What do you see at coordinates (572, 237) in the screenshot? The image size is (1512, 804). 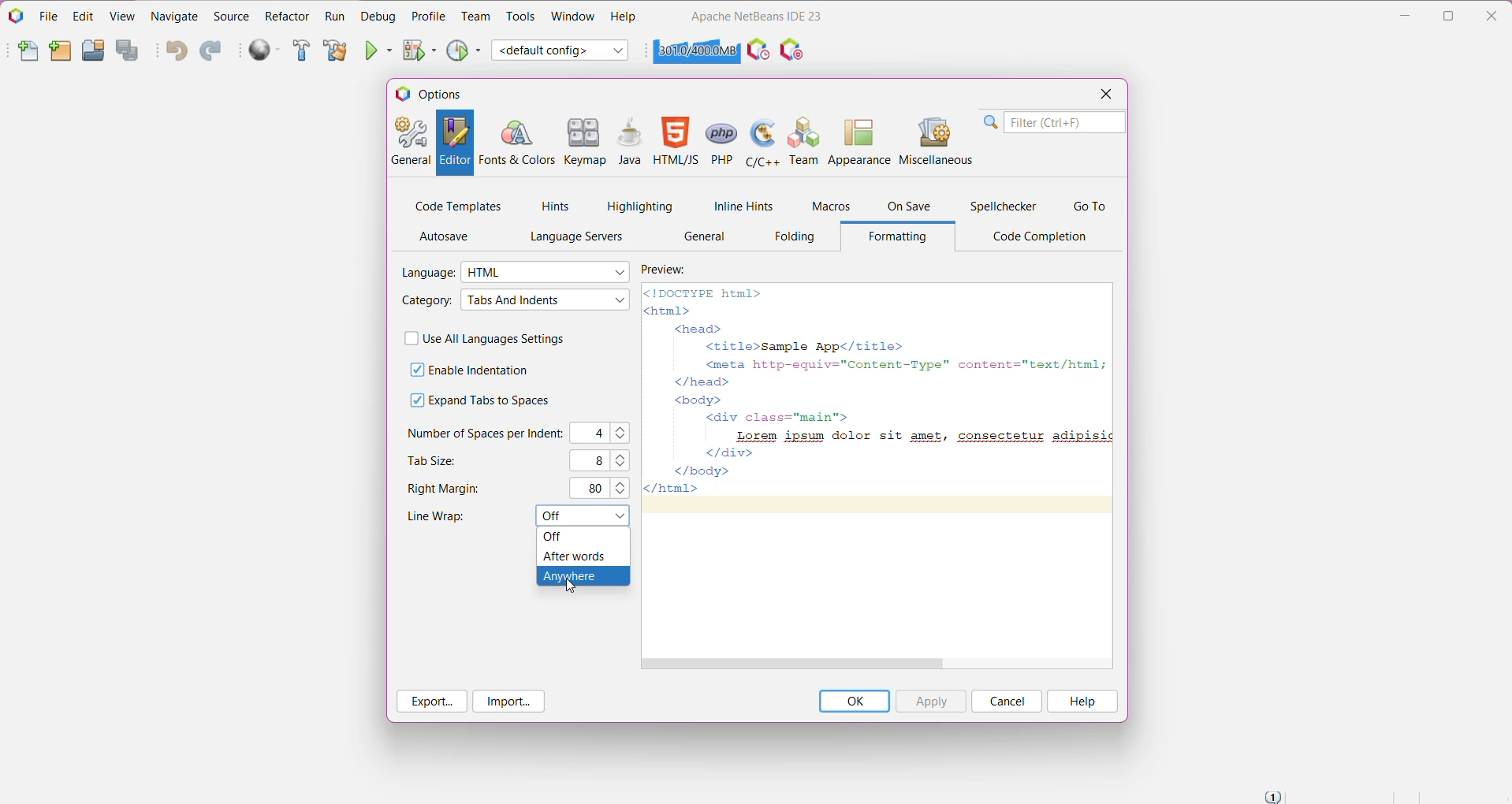 I see `Language Servers` at bounding box center [572, 237].